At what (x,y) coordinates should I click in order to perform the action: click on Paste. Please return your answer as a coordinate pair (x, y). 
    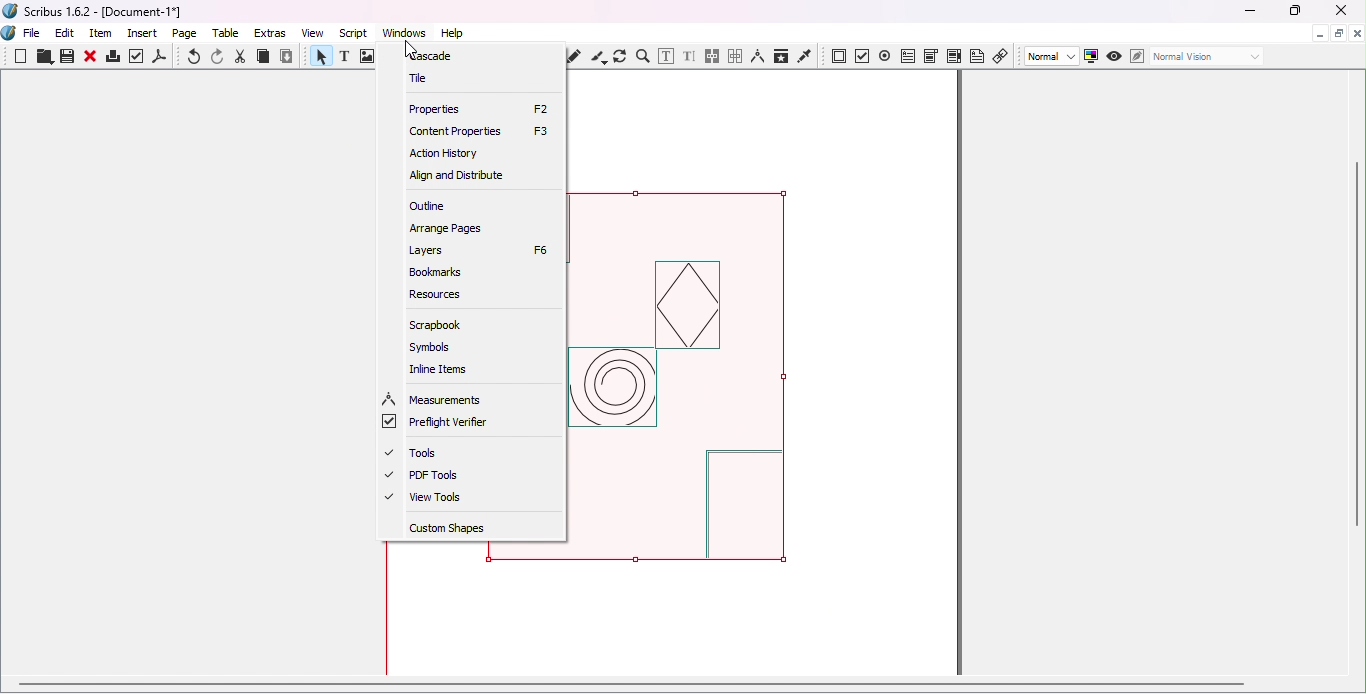
    Looking at the image, I should click on (287, 57).